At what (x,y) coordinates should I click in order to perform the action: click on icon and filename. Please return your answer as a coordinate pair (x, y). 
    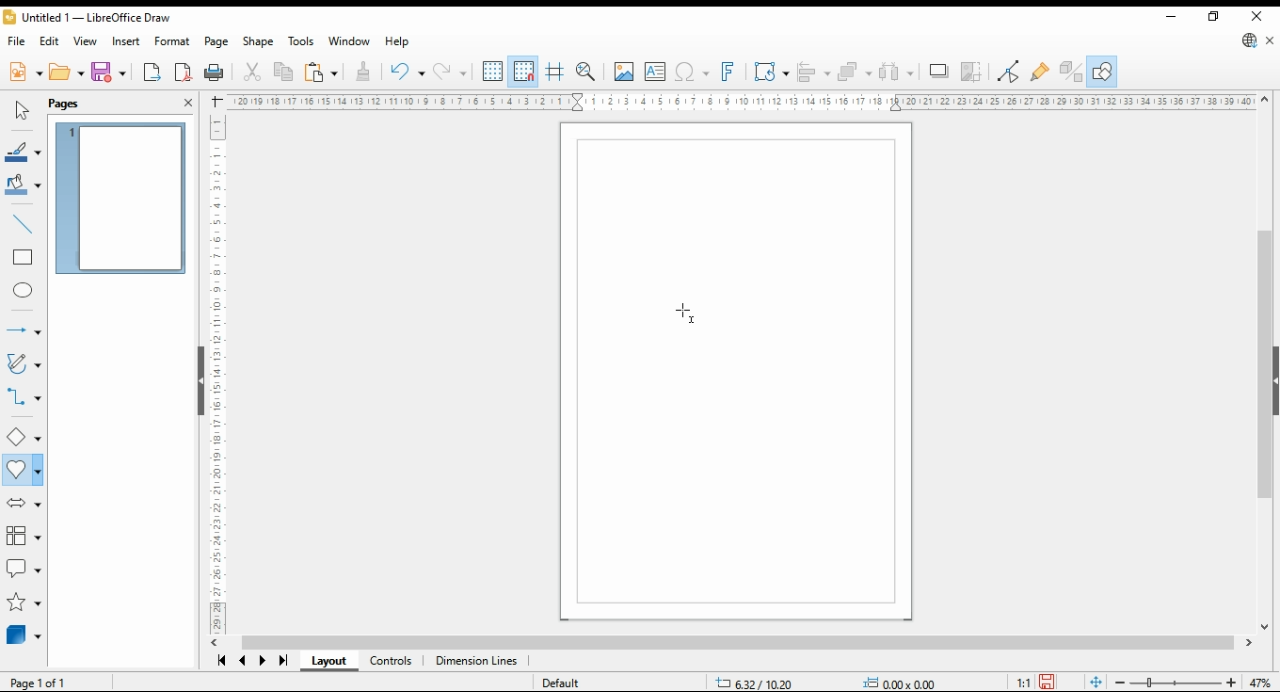
    Looking at the image, I should click on (87, 17).